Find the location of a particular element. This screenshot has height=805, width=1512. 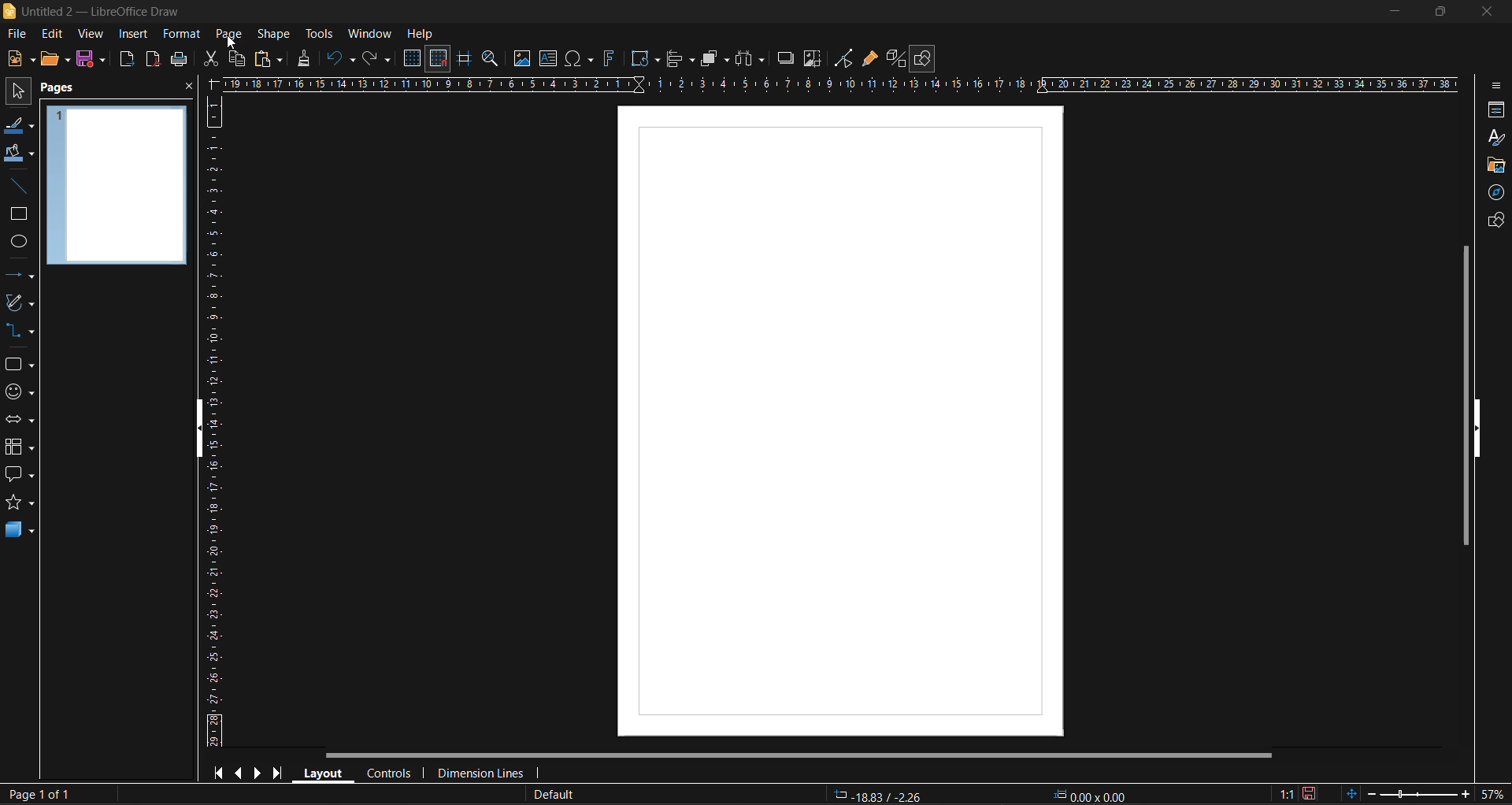

show gluepoint is located at coordinates (872, 60).